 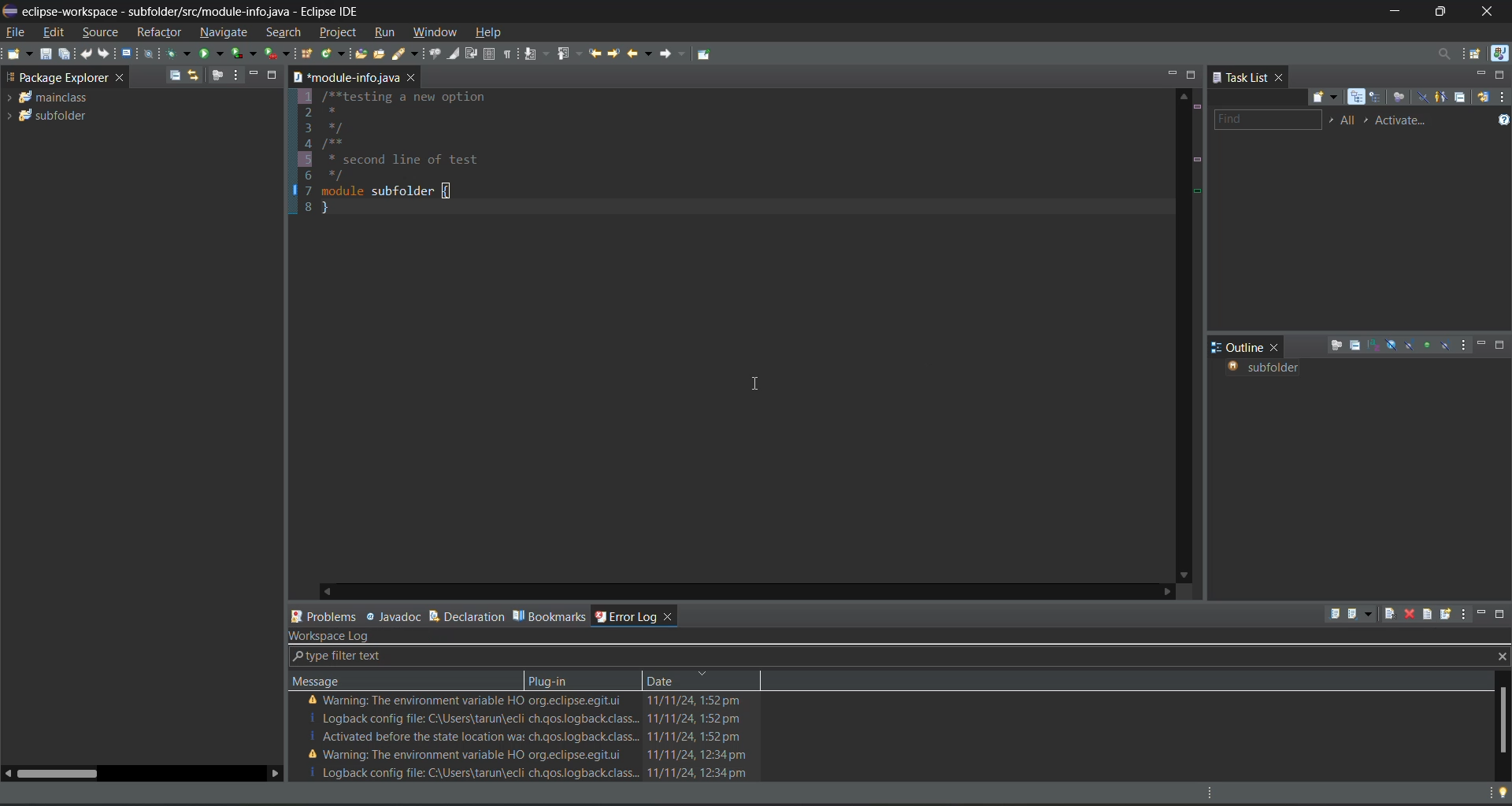 What do you see at coordinates (348, 76) in the screenshot?
I see `module info java` at bounding box center [348, 76].